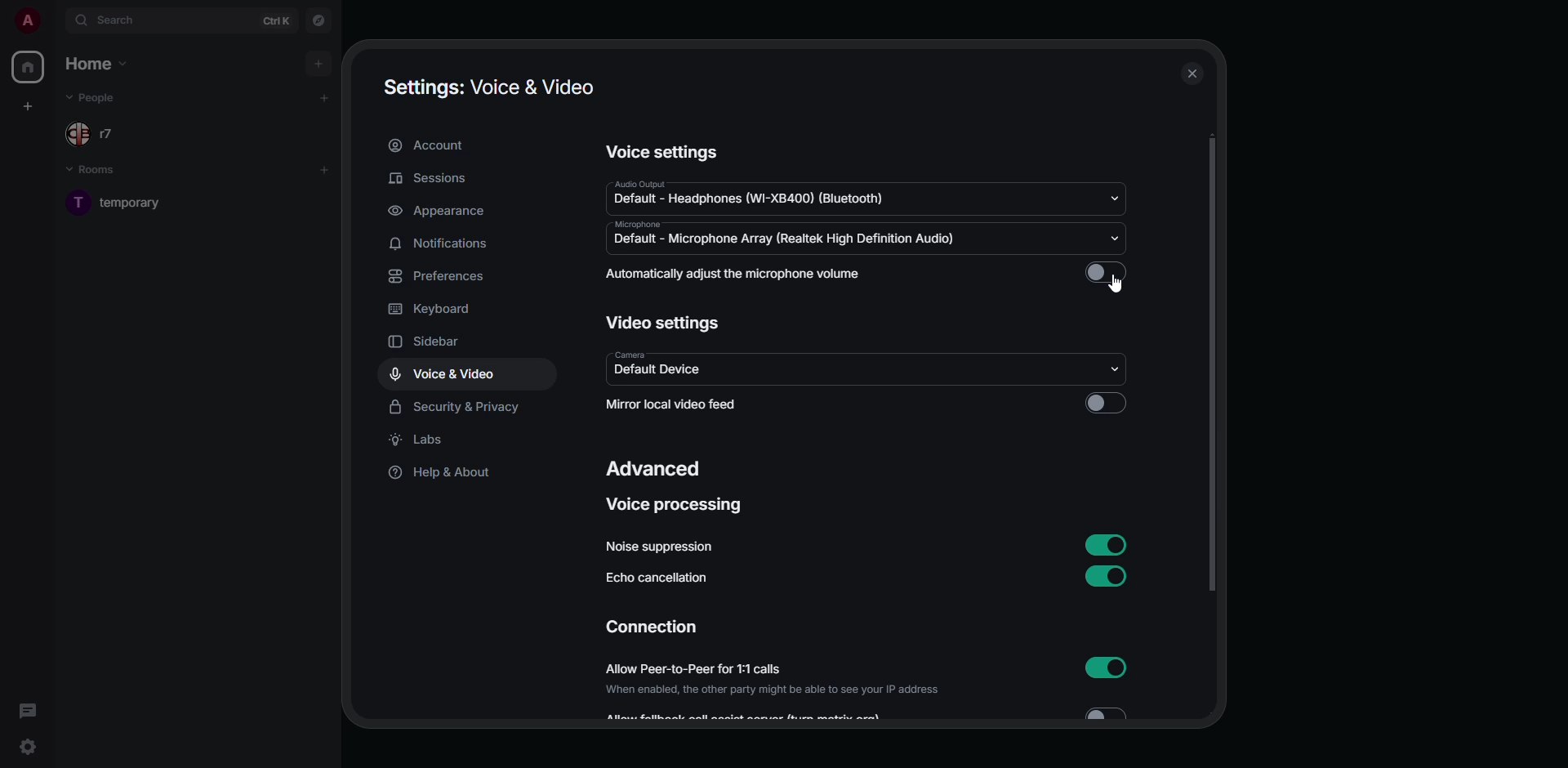 The image size is (1568, 768). I want to click on drop down, so click(1115, 238).